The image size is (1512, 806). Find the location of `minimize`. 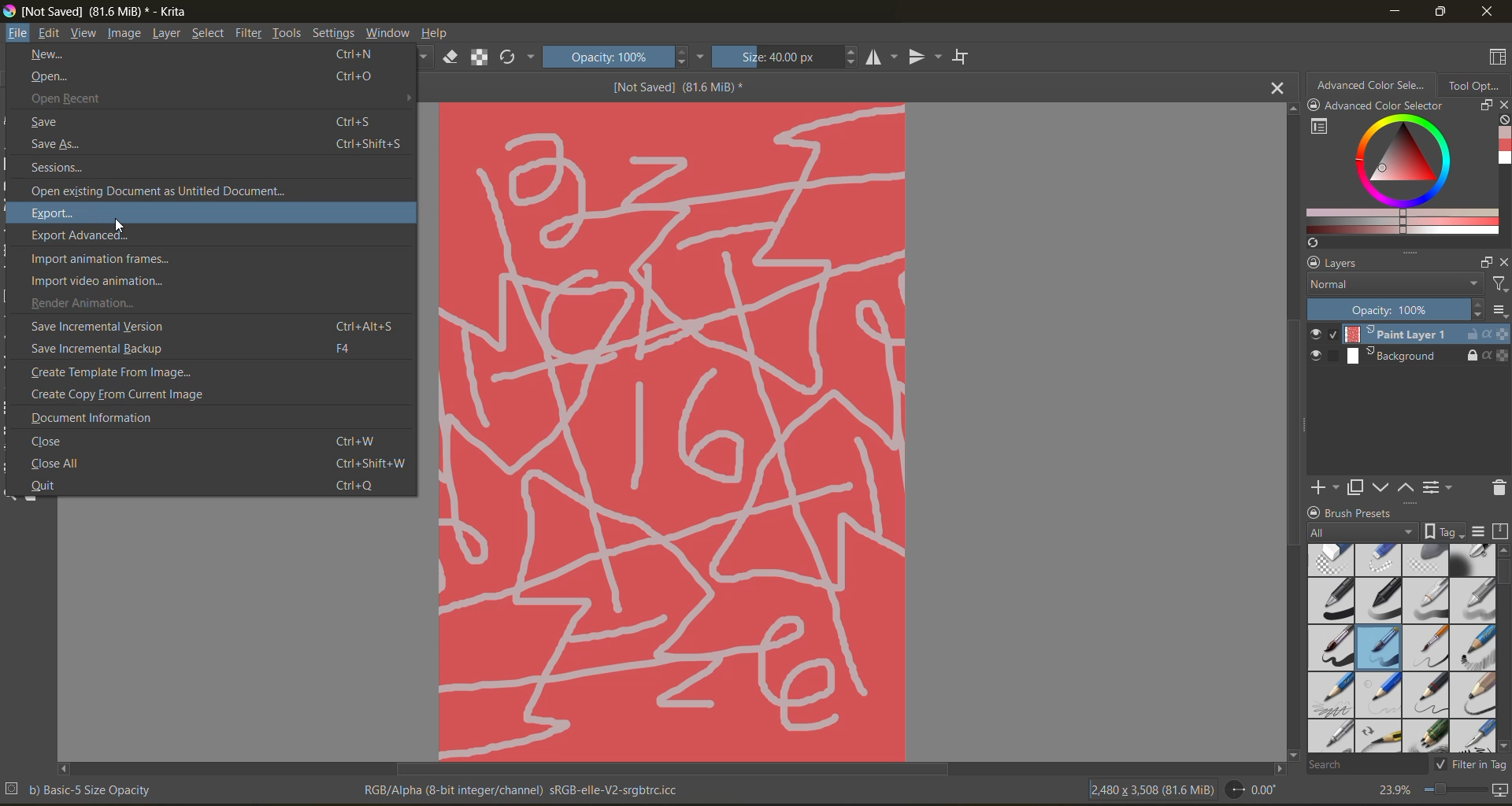

minimize is located at coordinates (1392, 10).